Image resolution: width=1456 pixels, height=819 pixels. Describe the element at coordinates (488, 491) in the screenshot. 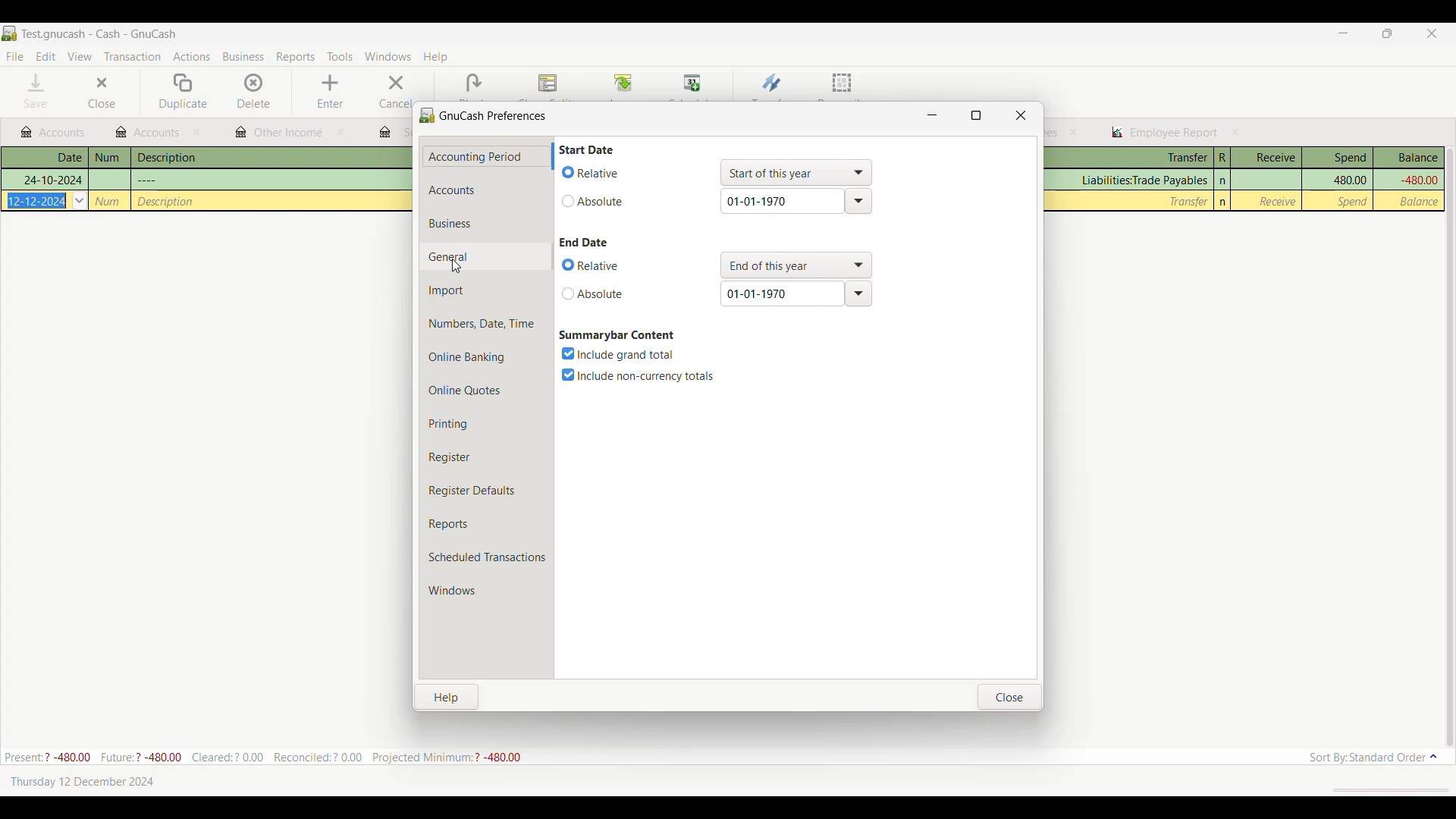

I see `Register defaults` at that location.